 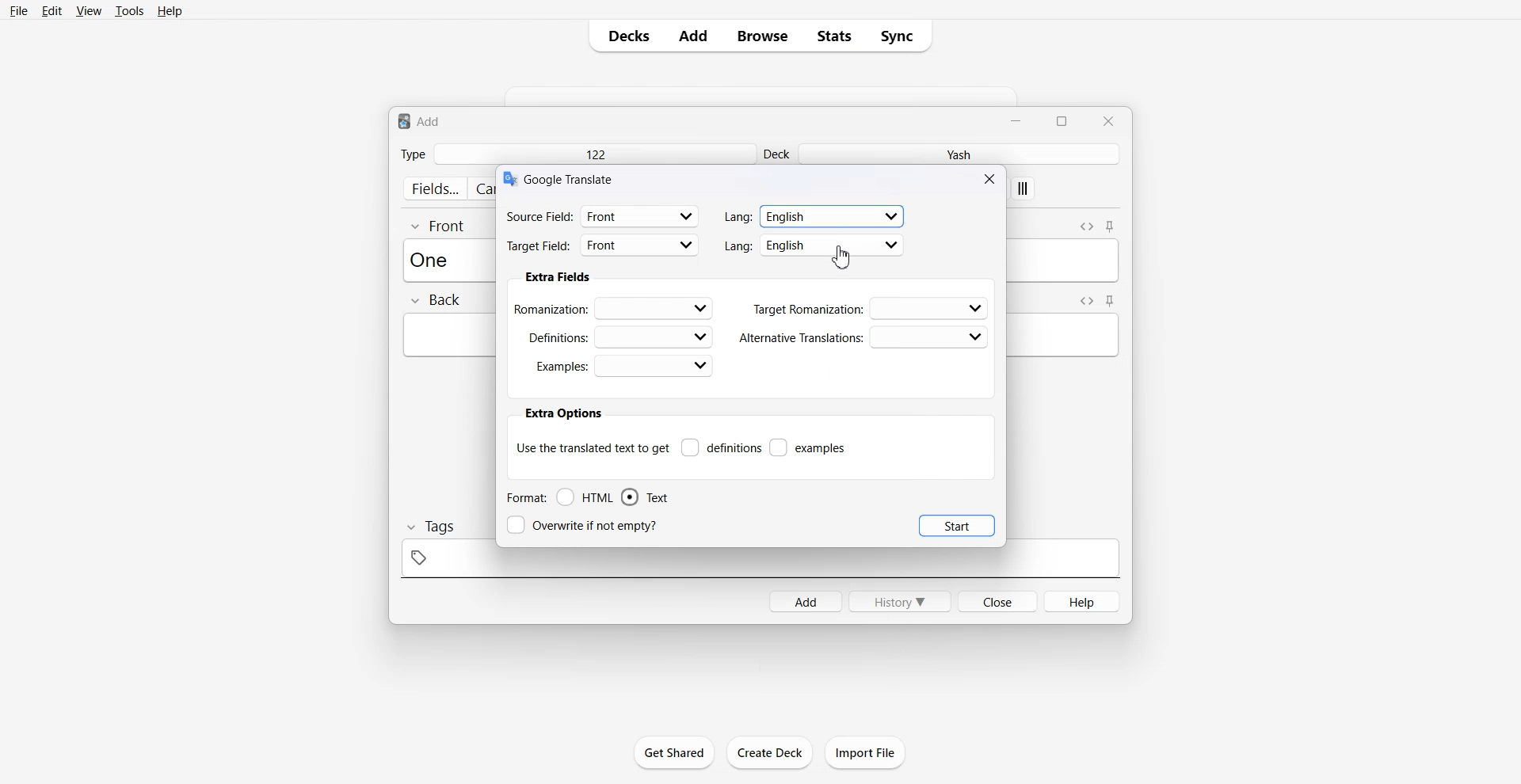 I want to click on Toggle HTML Editor, so click(x=1086, y=225).